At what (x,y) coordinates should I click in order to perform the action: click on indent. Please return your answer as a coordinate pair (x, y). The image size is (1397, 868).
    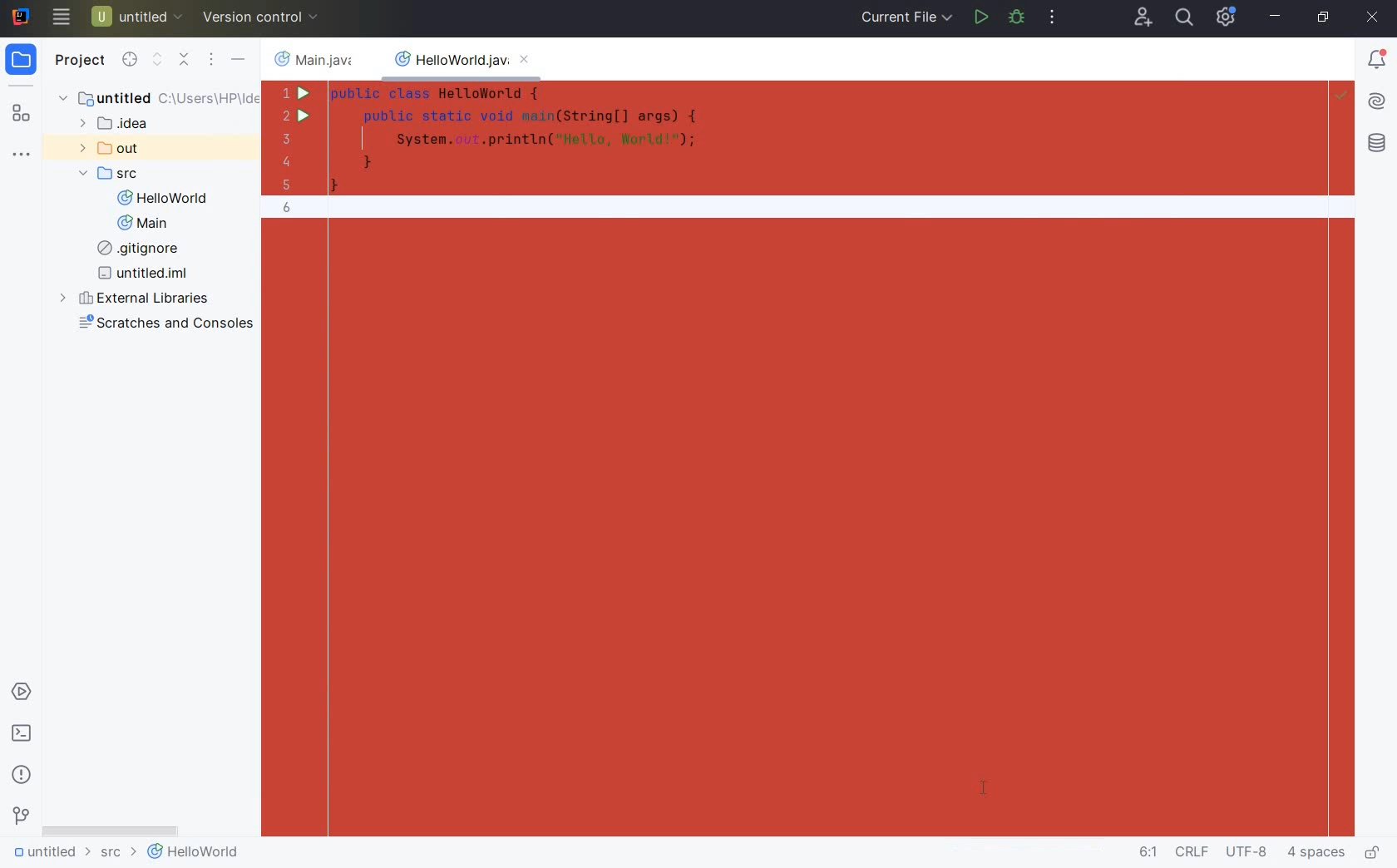
    Looking at the image, I should click on (1316, 855).